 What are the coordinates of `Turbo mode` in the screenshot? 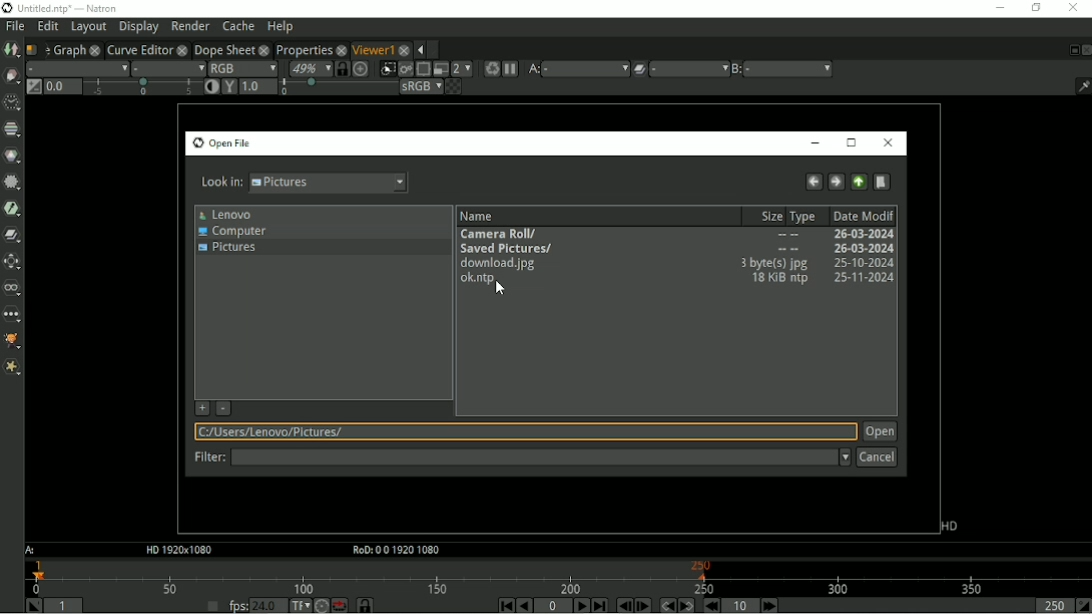 It's located at (321, 605).